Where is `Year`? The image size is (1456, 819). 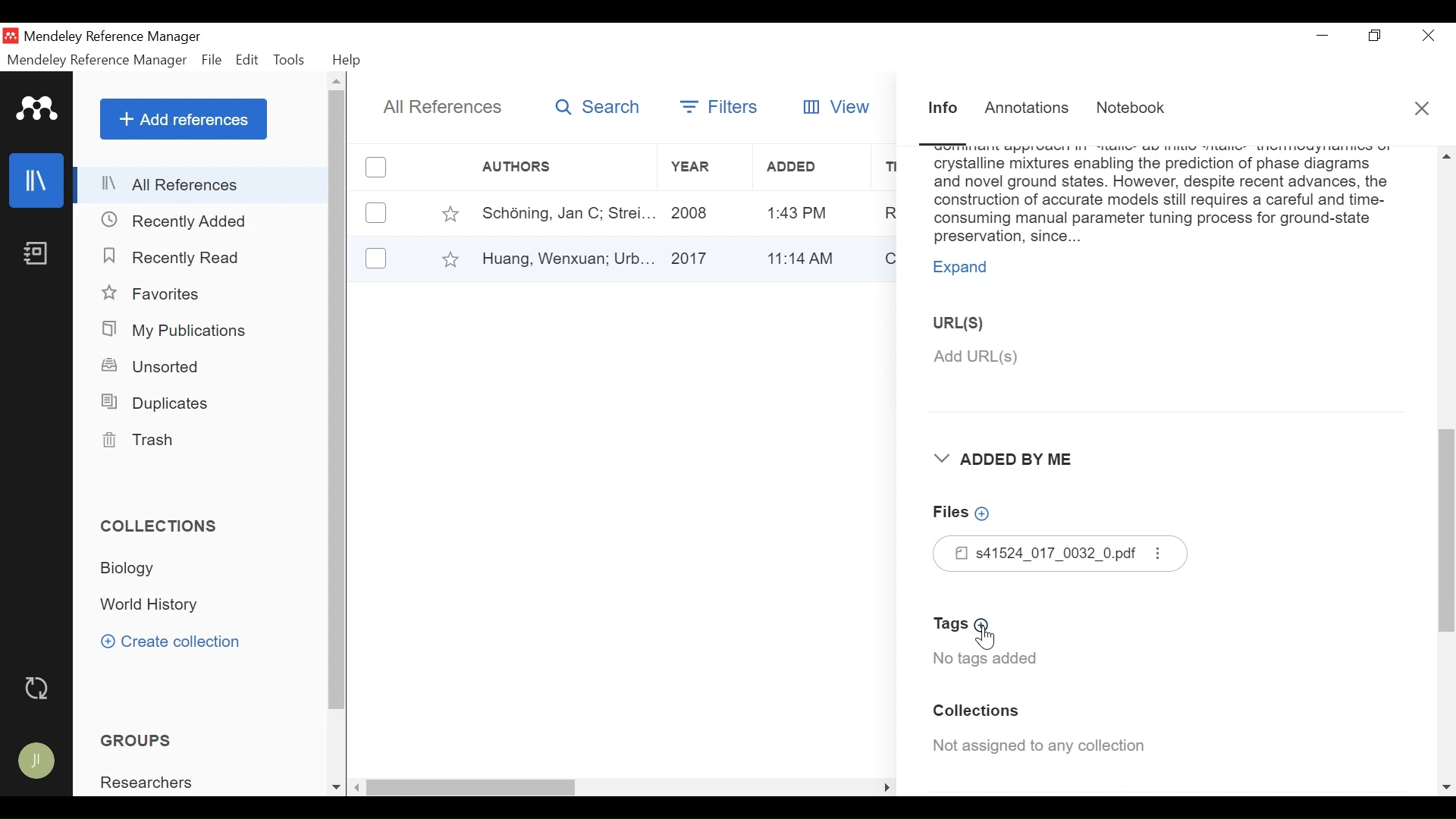 Year is located at coordinates (703, 212).